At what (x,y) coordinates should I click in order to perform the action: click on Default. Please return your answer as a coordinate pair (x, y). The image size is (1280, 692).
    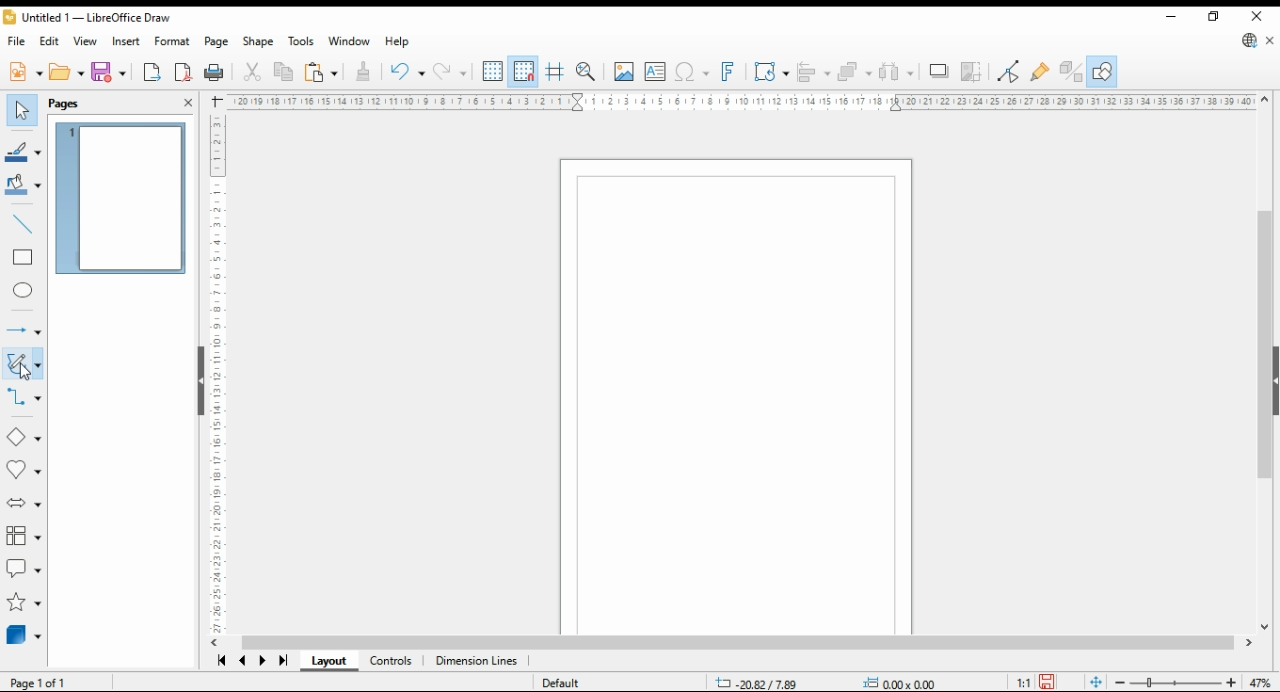
    Looking at the image, I should click on (571, 680).